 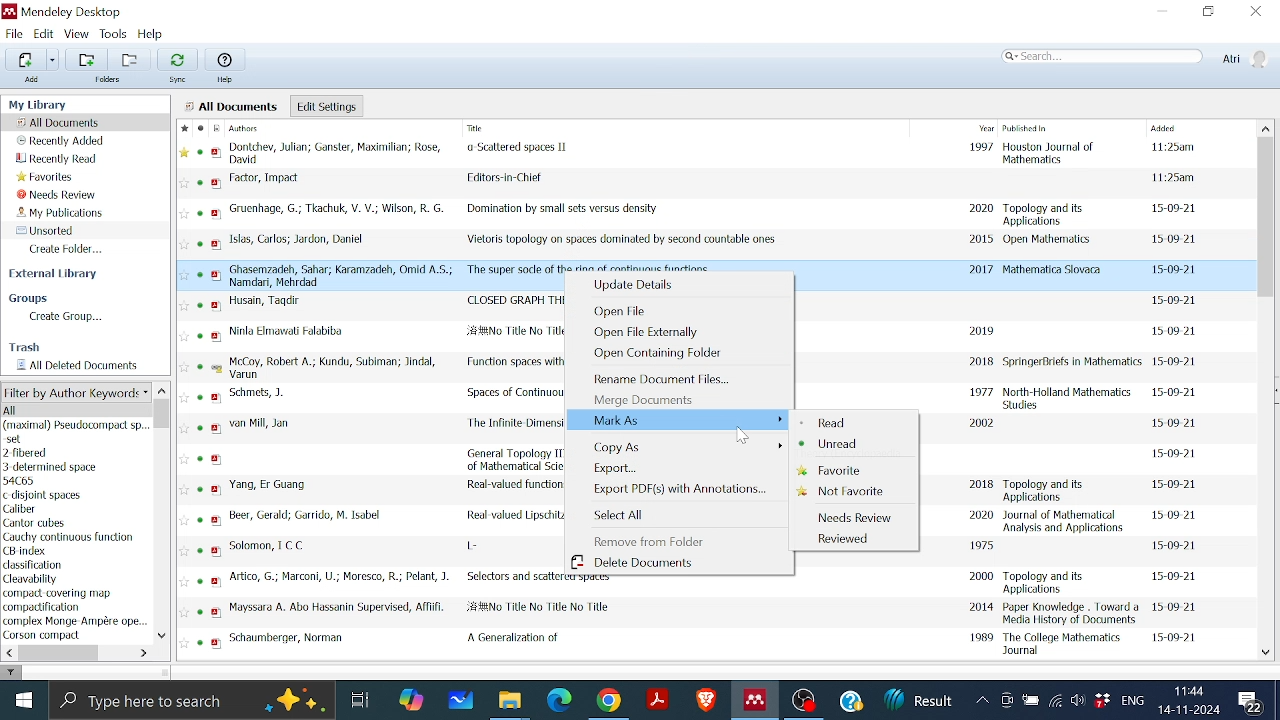 I want to click on Cleavability, so click(x=34, y=580).